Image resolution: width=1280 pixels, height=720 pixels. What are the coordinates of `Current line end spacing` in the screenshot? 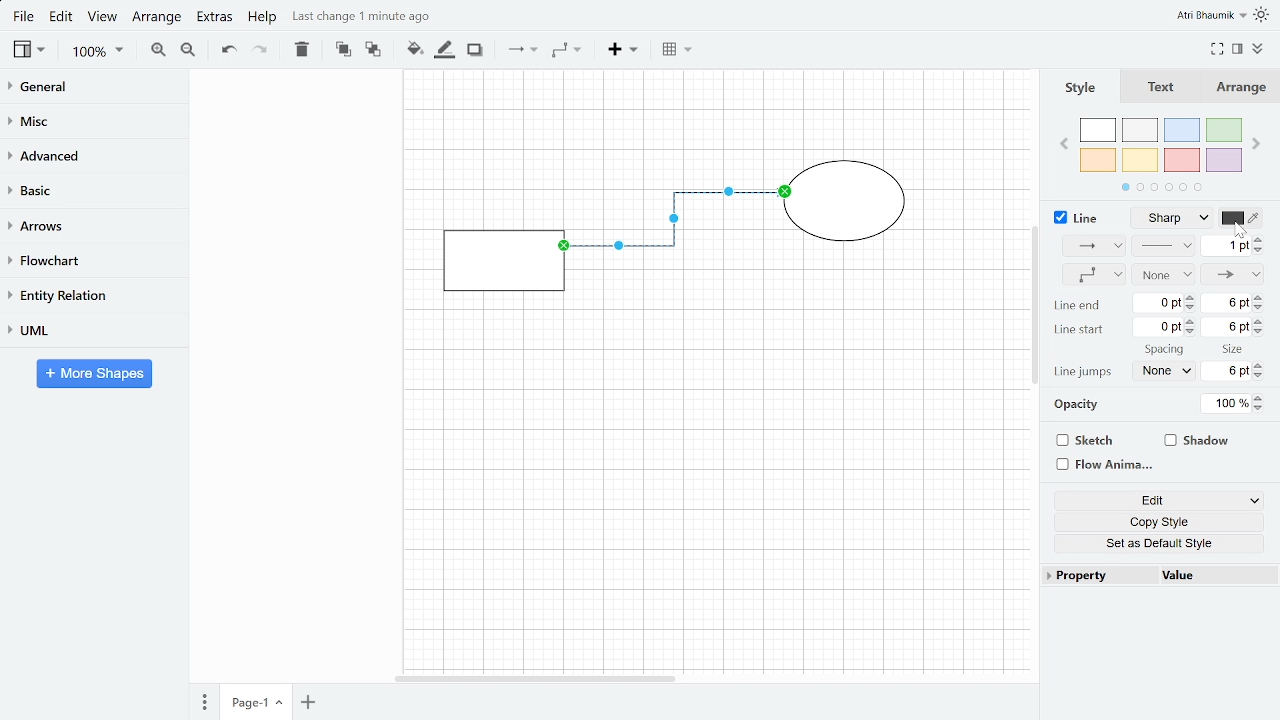 It's located at (1159, 303).